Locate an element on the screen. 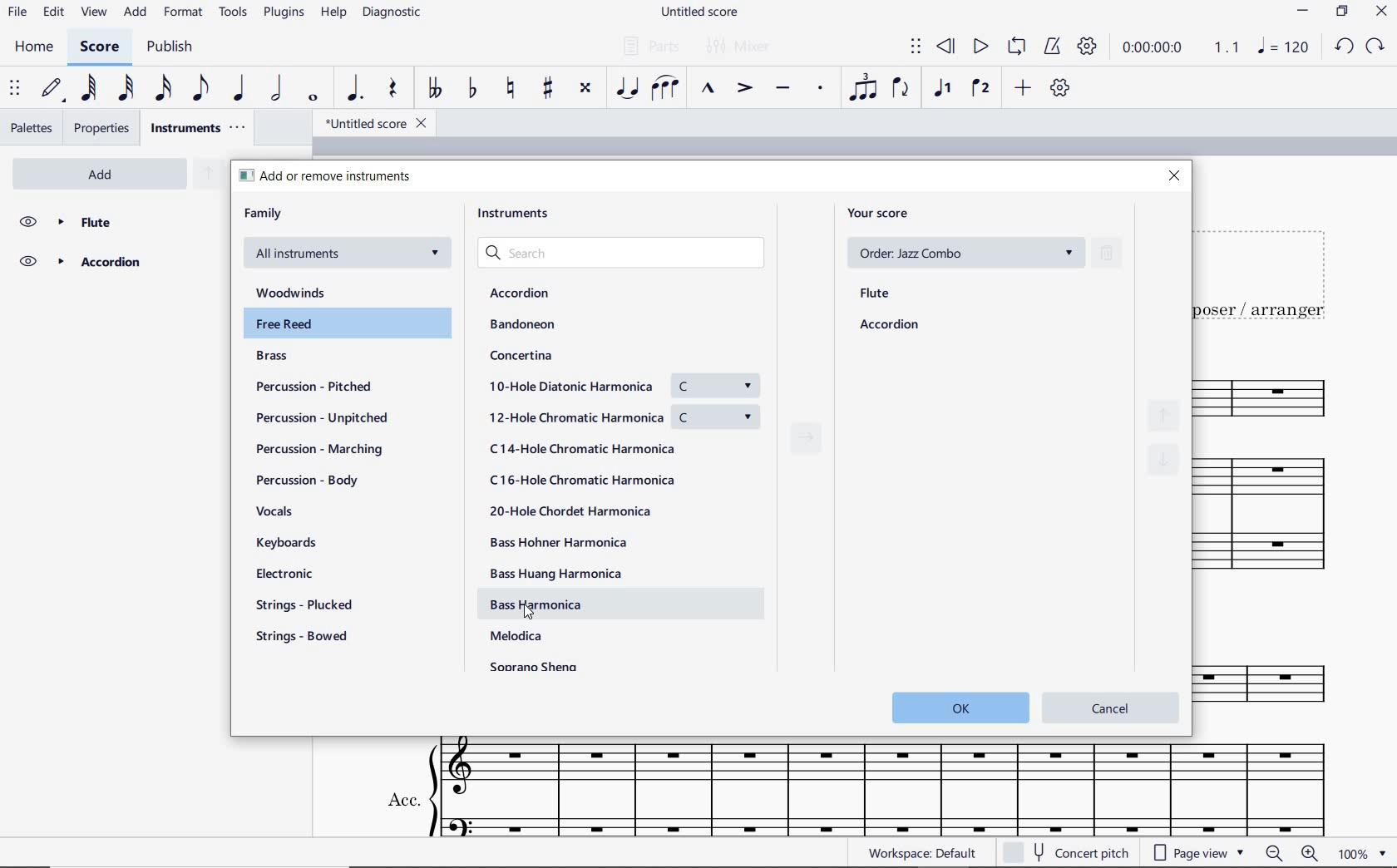 This screenshot has height=868, width=1397. Bass Hohner Harmonica is located at coordinates (560, 542).